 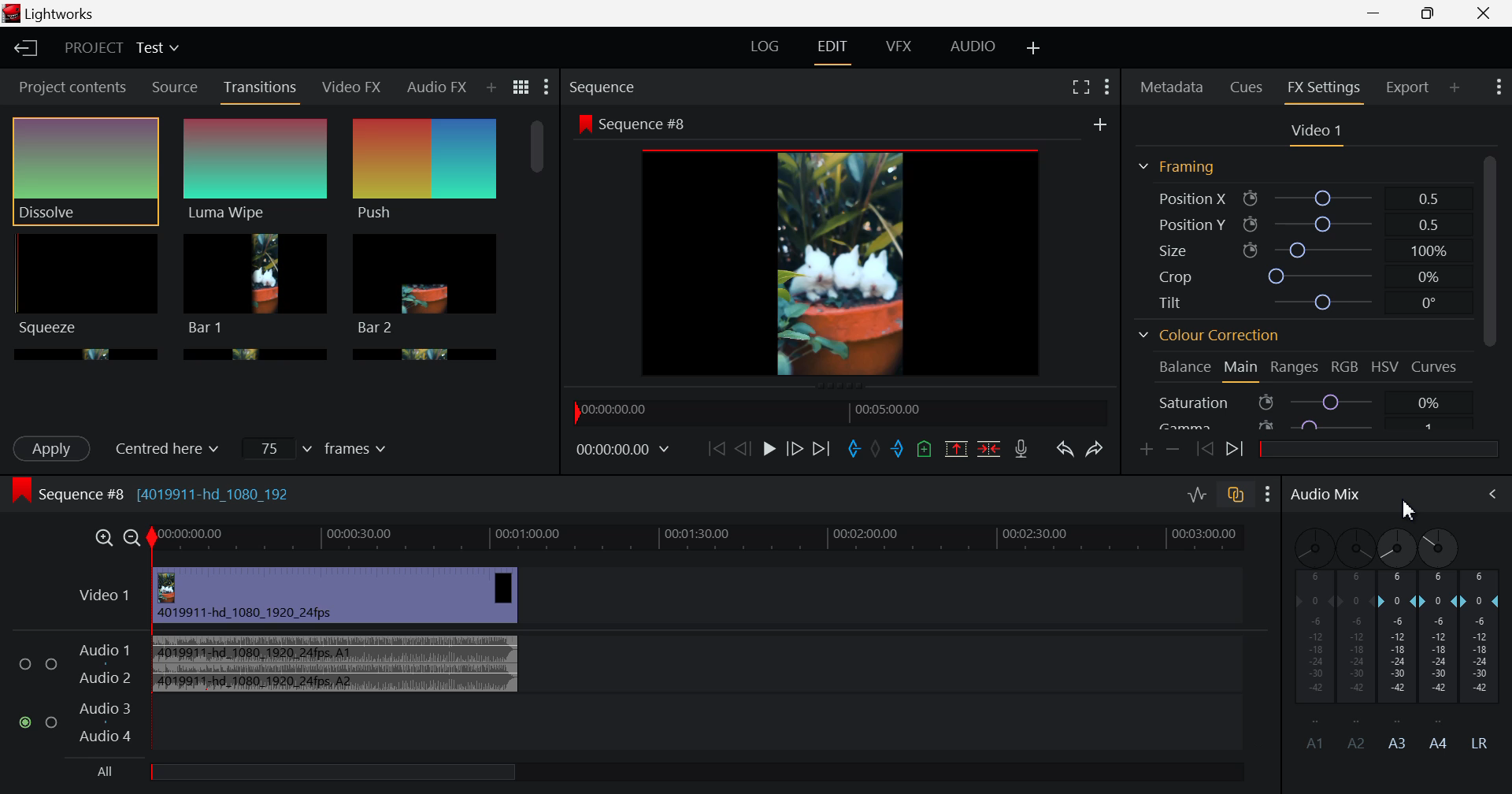 What do you see at coordinates (1180, 167) in the screenshot?
I see `Framing Section` at bounding box center [1180, 167].